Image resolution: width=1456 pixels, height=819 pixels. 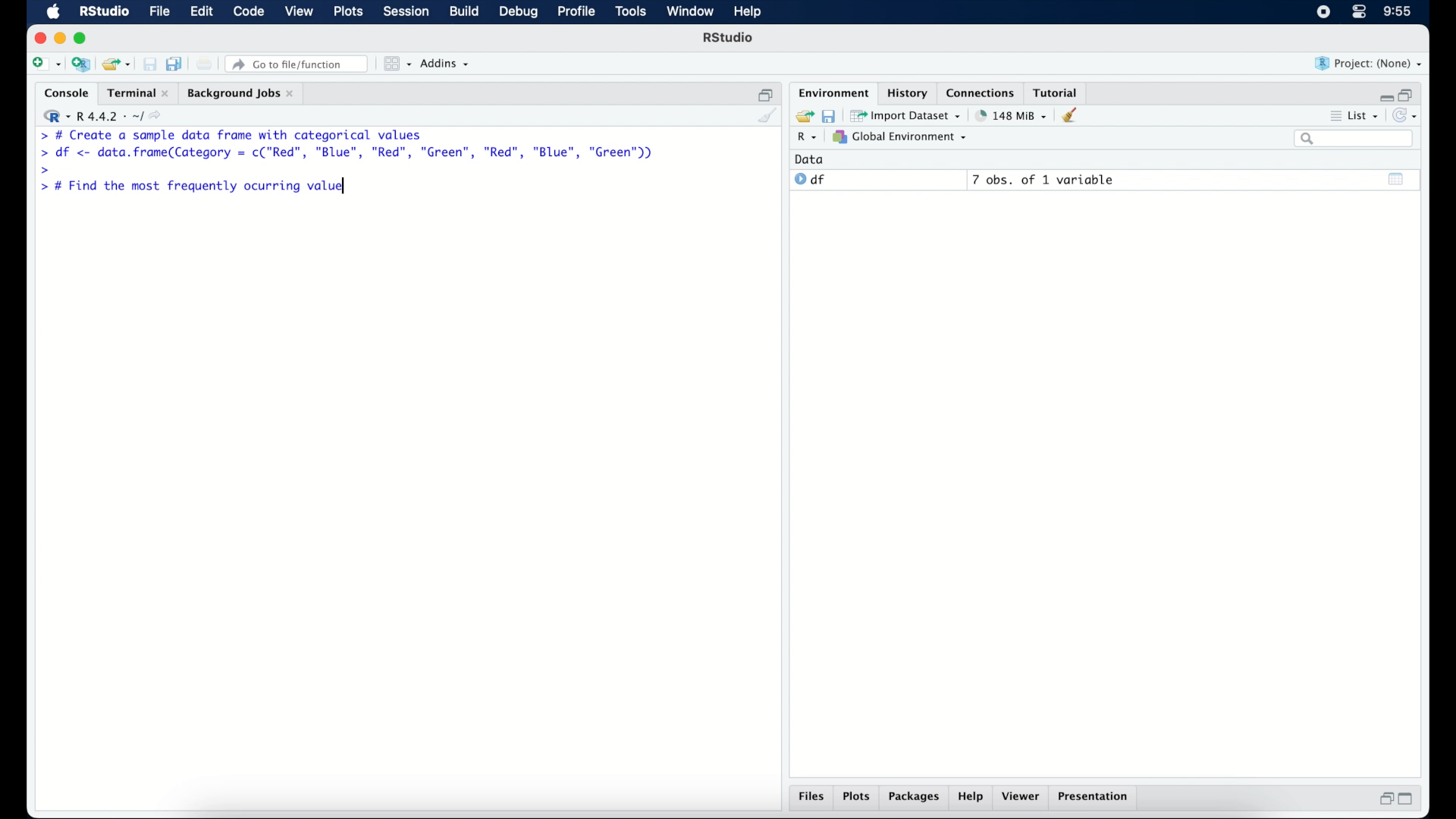 What do you see at coordinates (1333, 115) in the screenshot?
I see `more options` at bounding box center [1333, 115].